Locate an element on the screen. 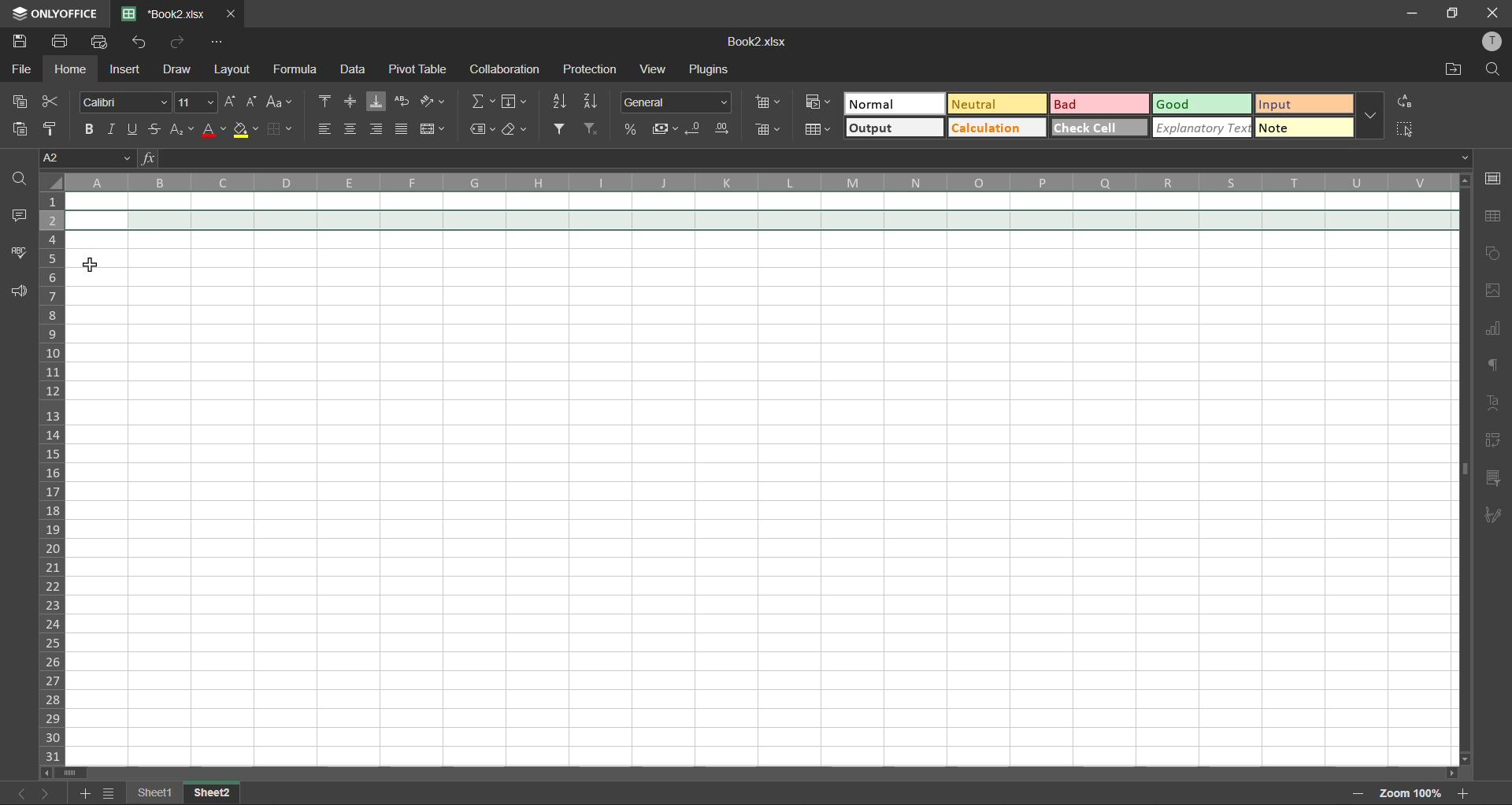  paragraph is located at coordinates (1495, 363).